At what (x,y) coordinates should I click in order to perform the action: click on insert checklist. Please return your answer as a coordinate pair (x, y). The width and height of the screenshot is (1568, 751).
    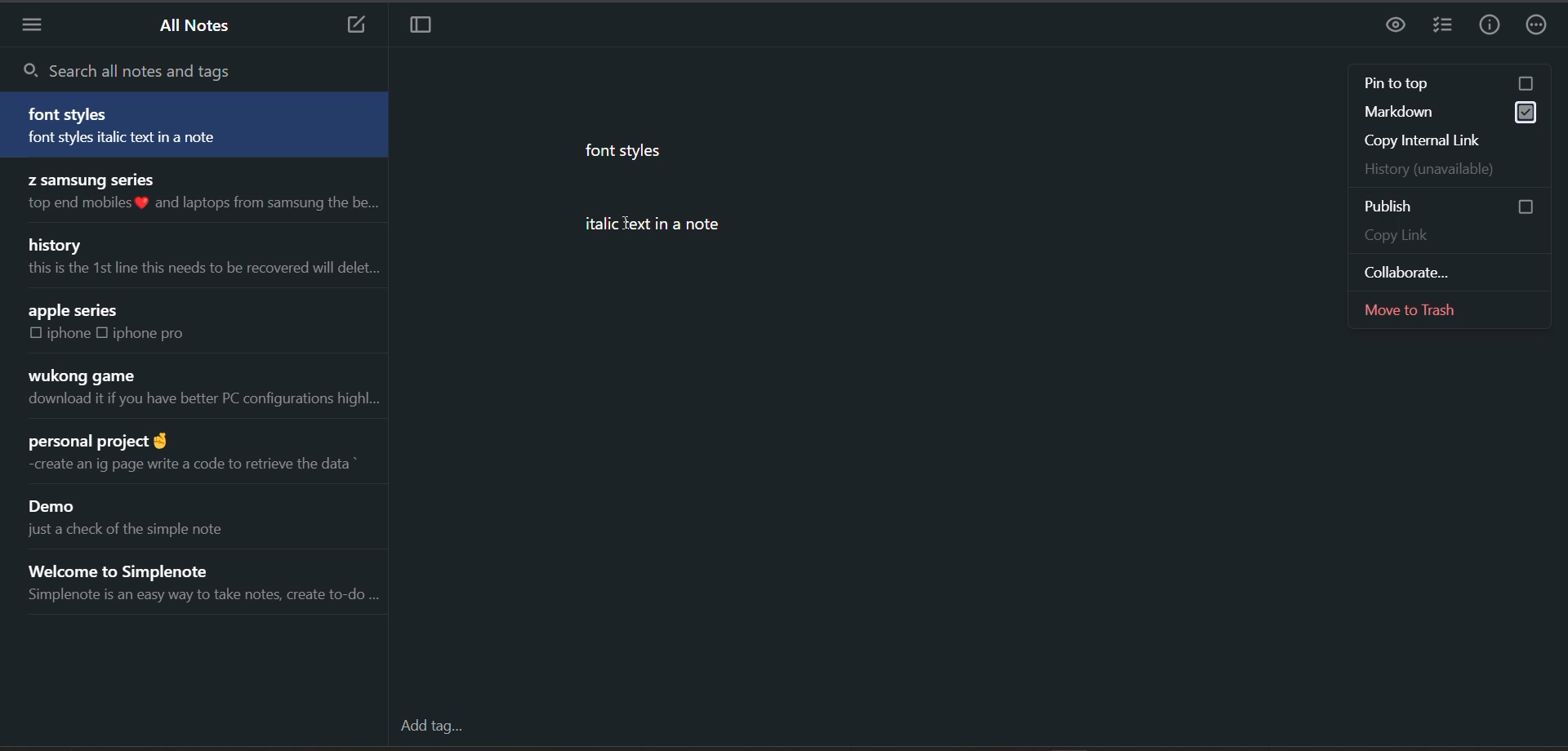
    Looking at the image, I should click on (1443, 26).